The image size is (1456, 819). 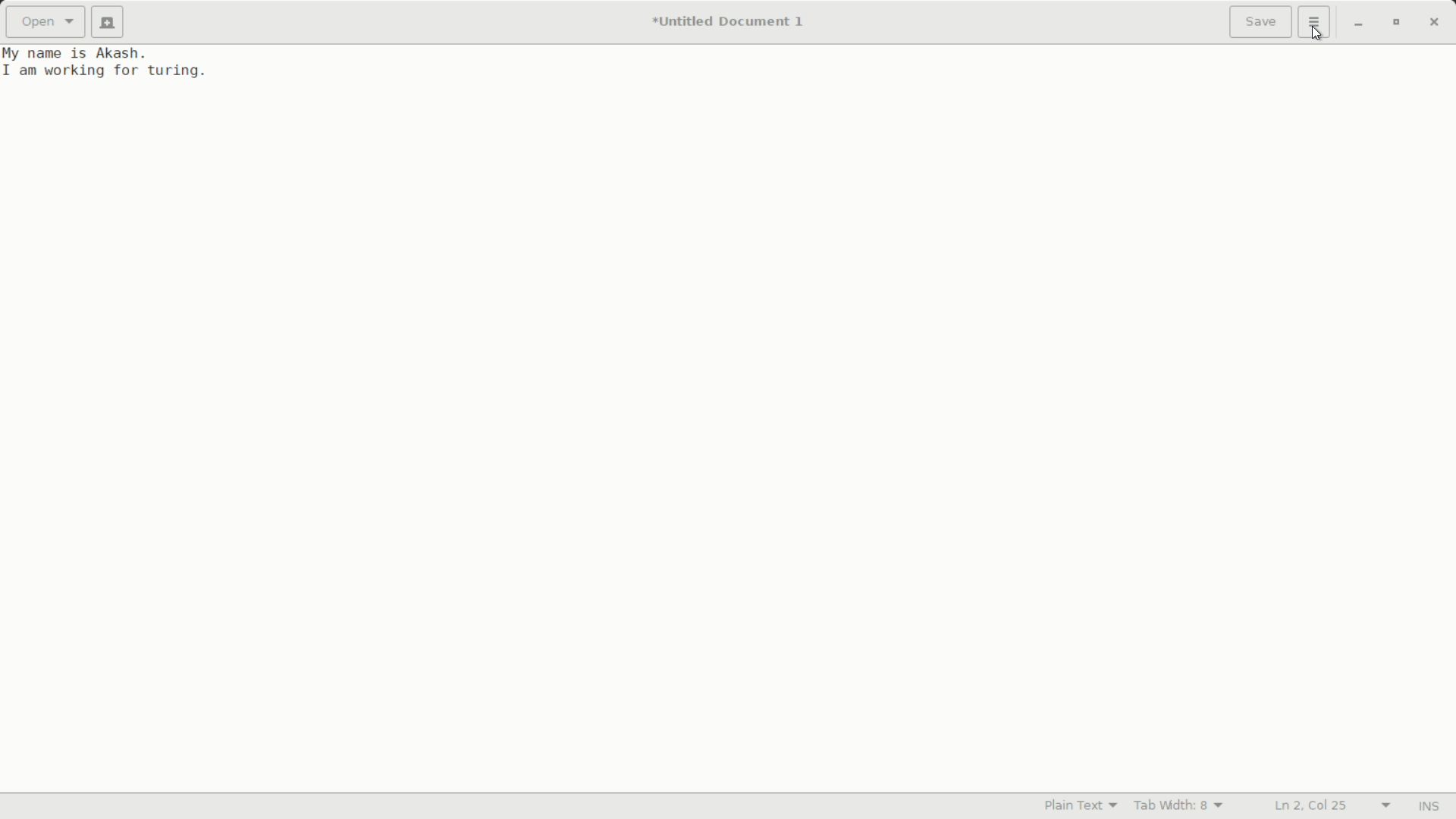 I want to click on more options, so click(x=1314, y=20).